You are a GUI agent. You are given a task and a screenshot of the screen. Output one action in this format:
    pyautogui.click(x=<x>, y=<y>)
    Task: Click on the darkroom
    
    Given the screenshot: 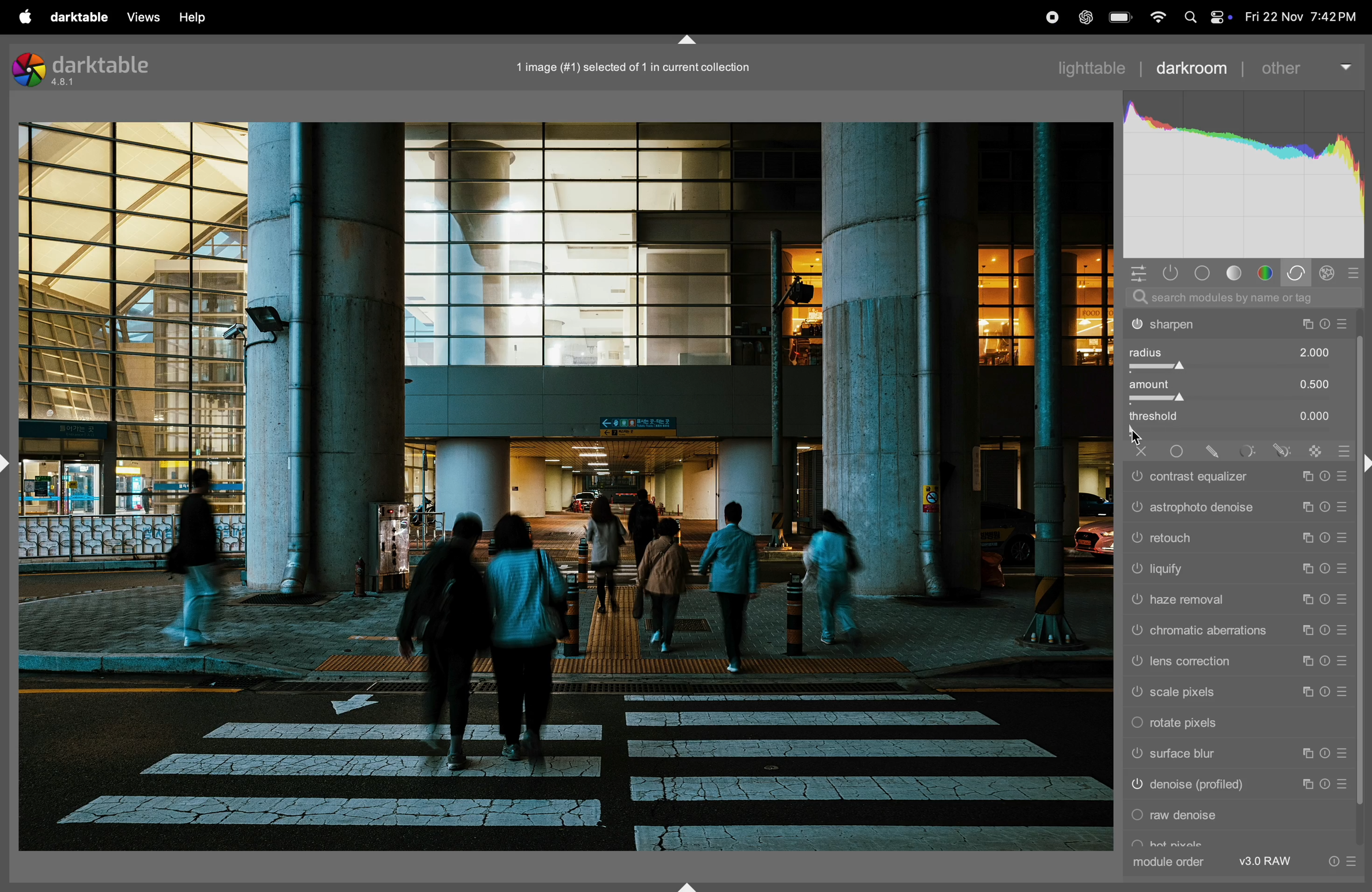 What is the action you would take?
    pyautogui.click(x=1193, y=69)
    